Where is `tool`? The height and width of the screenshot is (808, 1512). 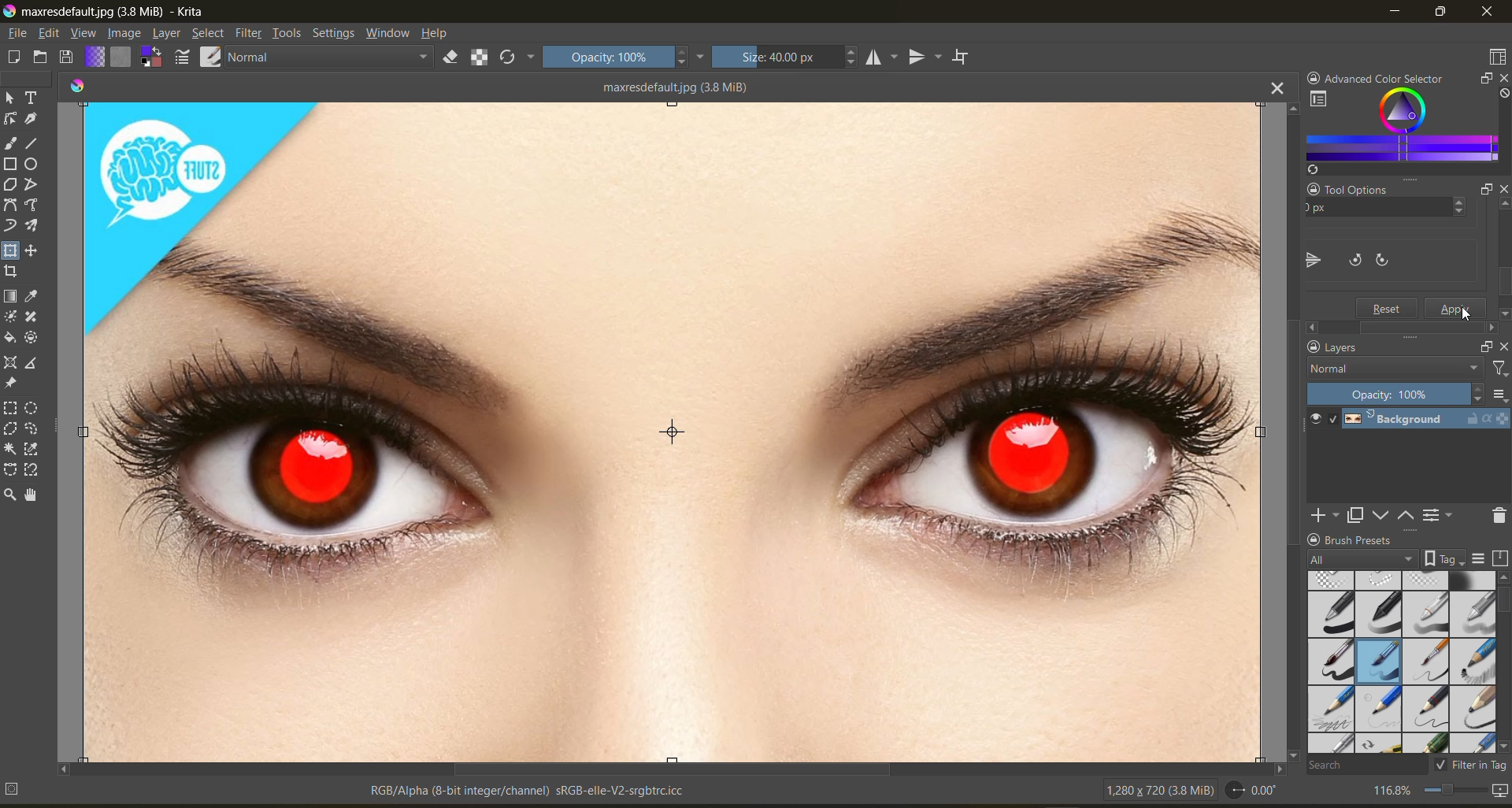 tool is located at coordinates (31, 226).